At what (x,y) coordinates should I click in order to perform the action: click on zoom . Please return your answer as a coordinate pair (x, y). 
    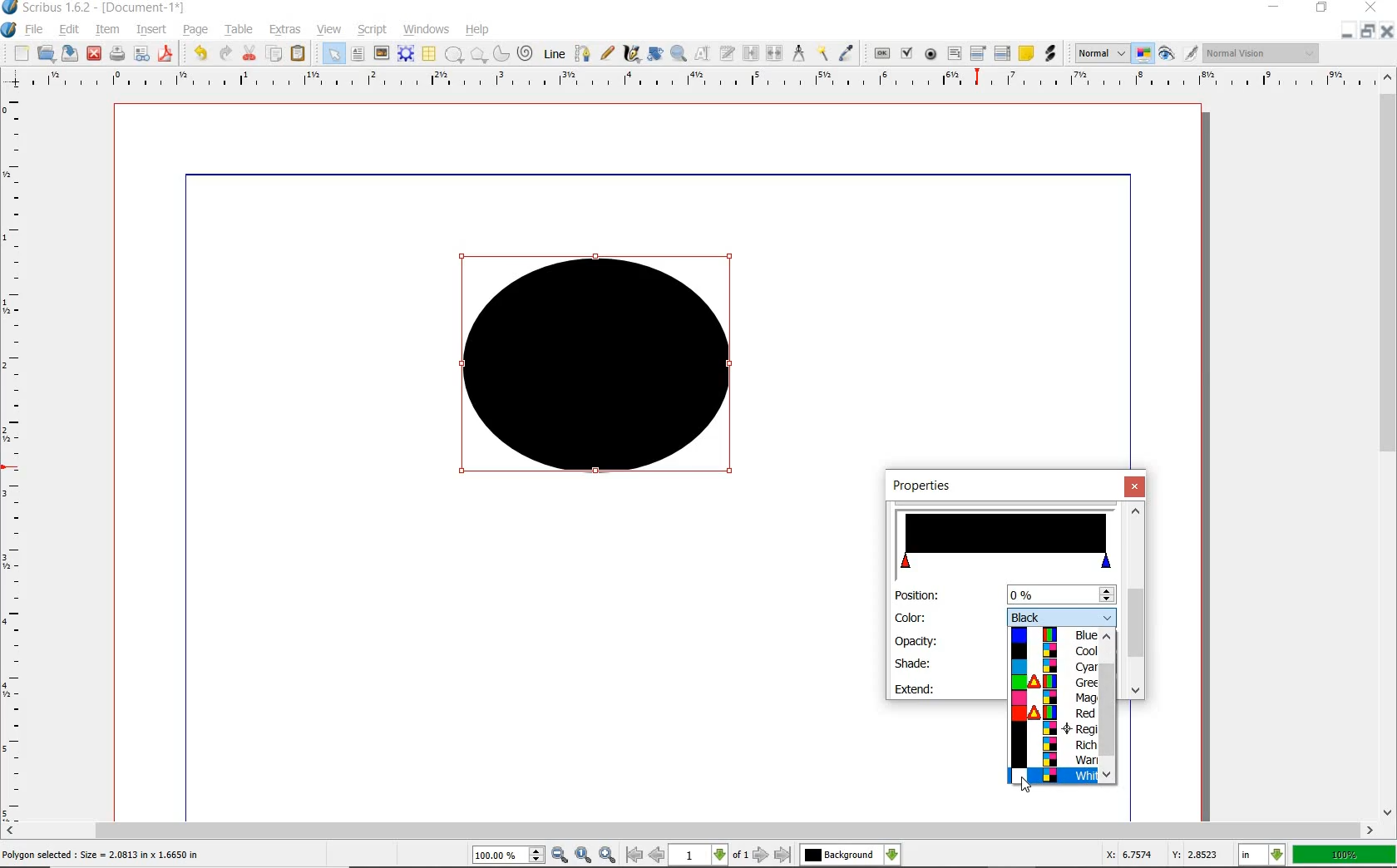
    Looking at the image, I should click on (510, 856).